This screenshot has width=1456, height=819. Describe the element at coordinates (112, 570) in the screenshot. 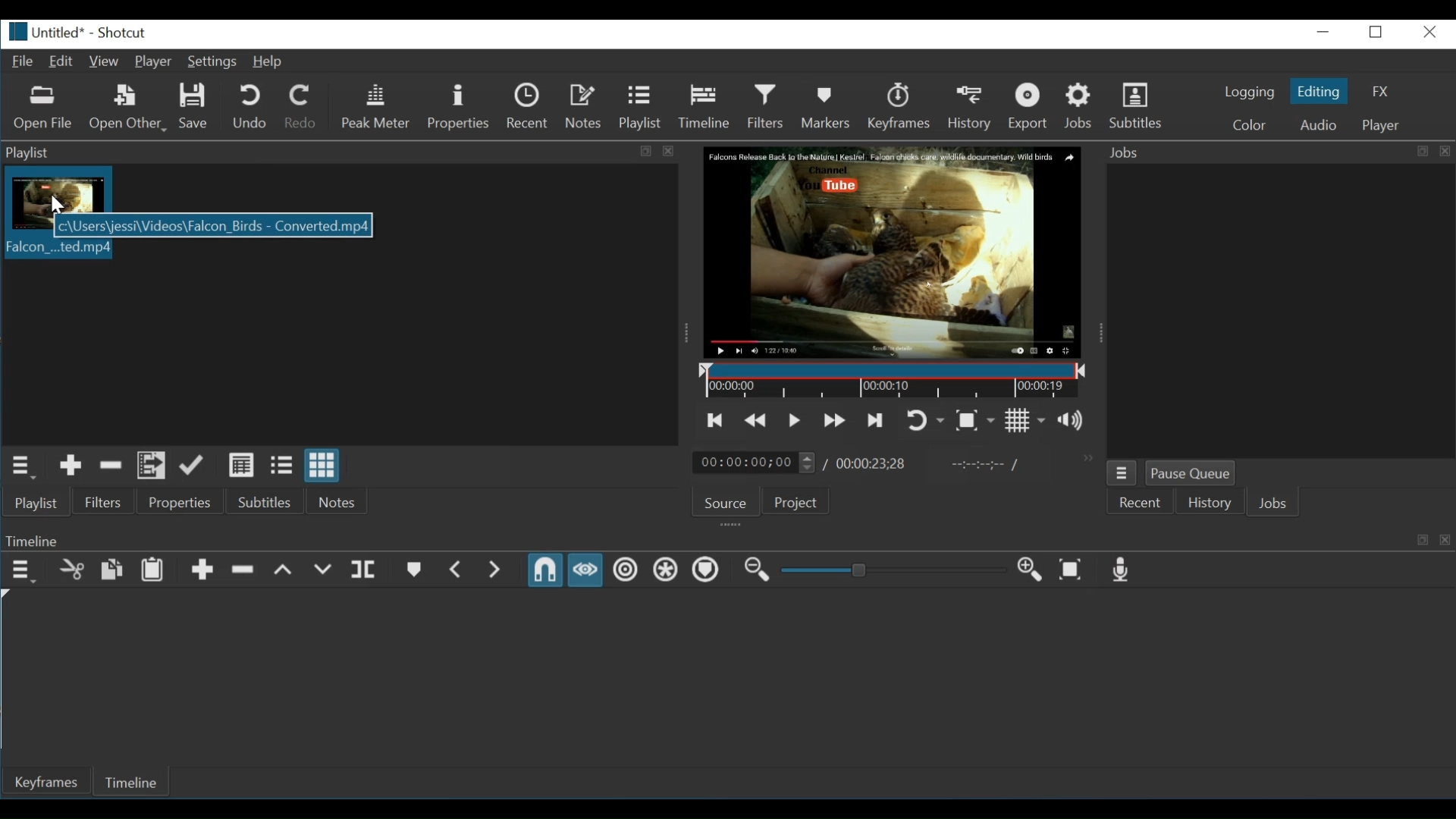

I see `Copy` at that location.